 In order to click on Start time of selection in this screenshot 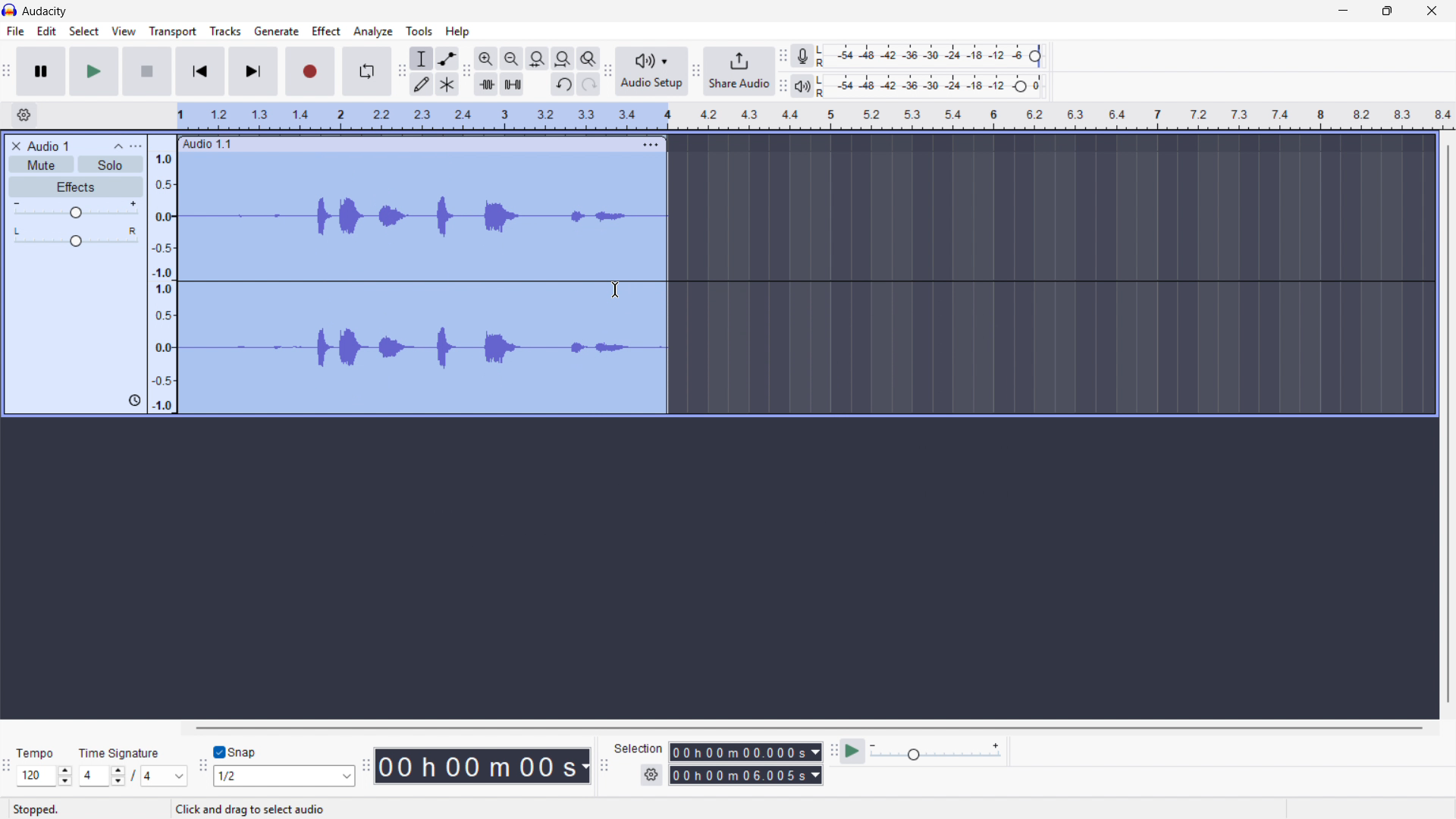, I will do `click(745, 752)`.